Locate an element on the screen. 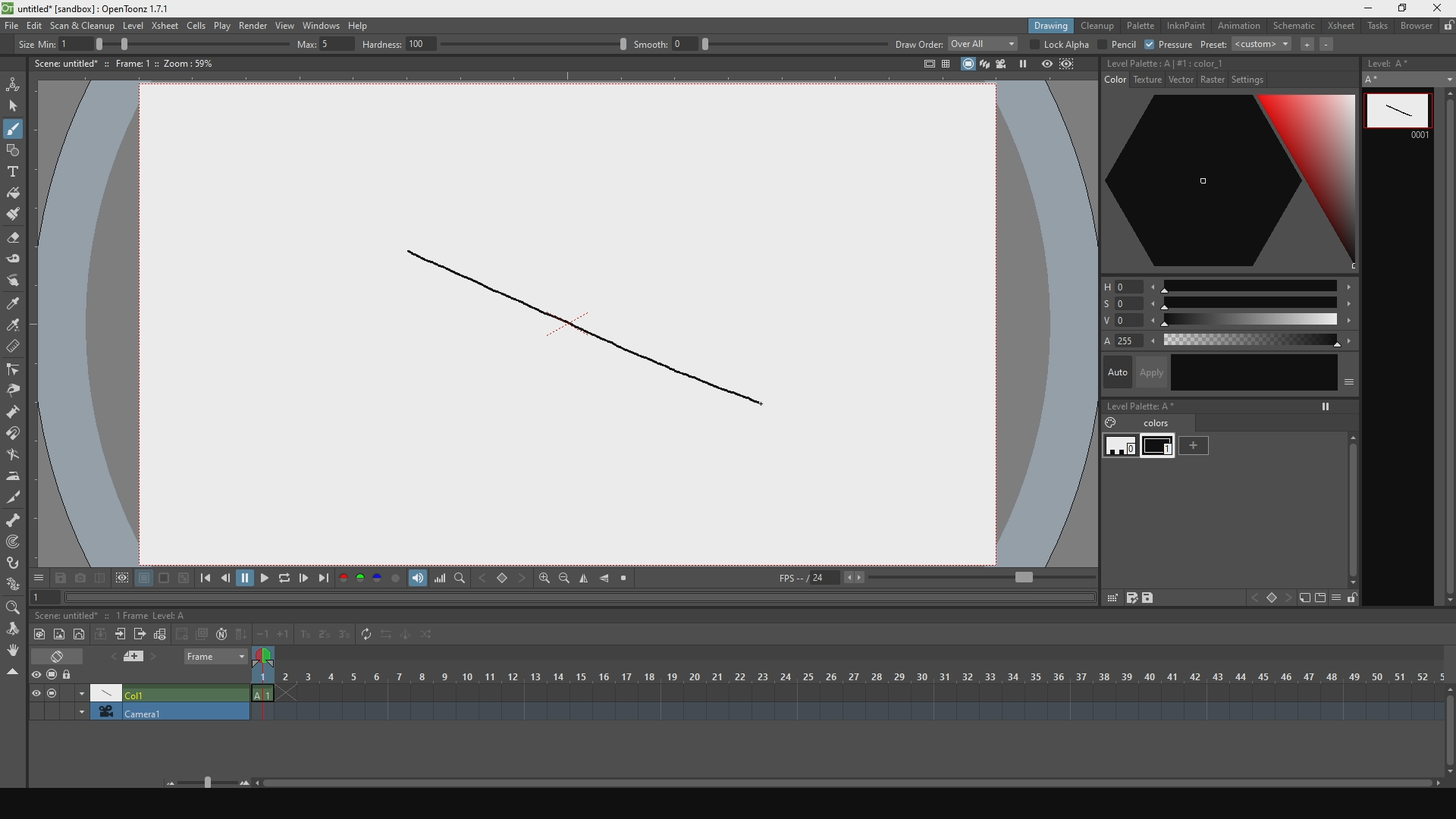  layers is located at coordinates (983, 65).